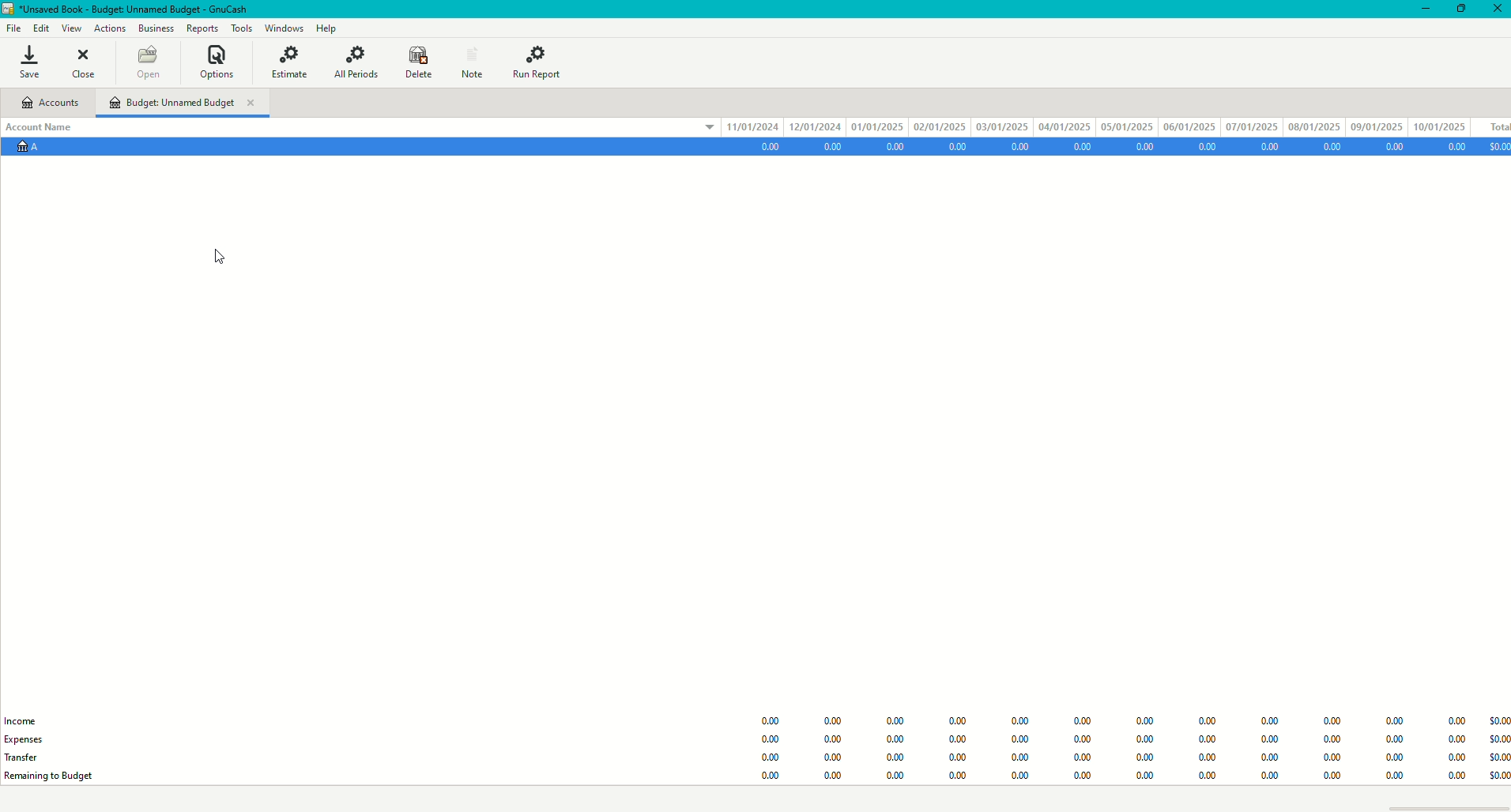  I want to click on account name, so click(39, 126).